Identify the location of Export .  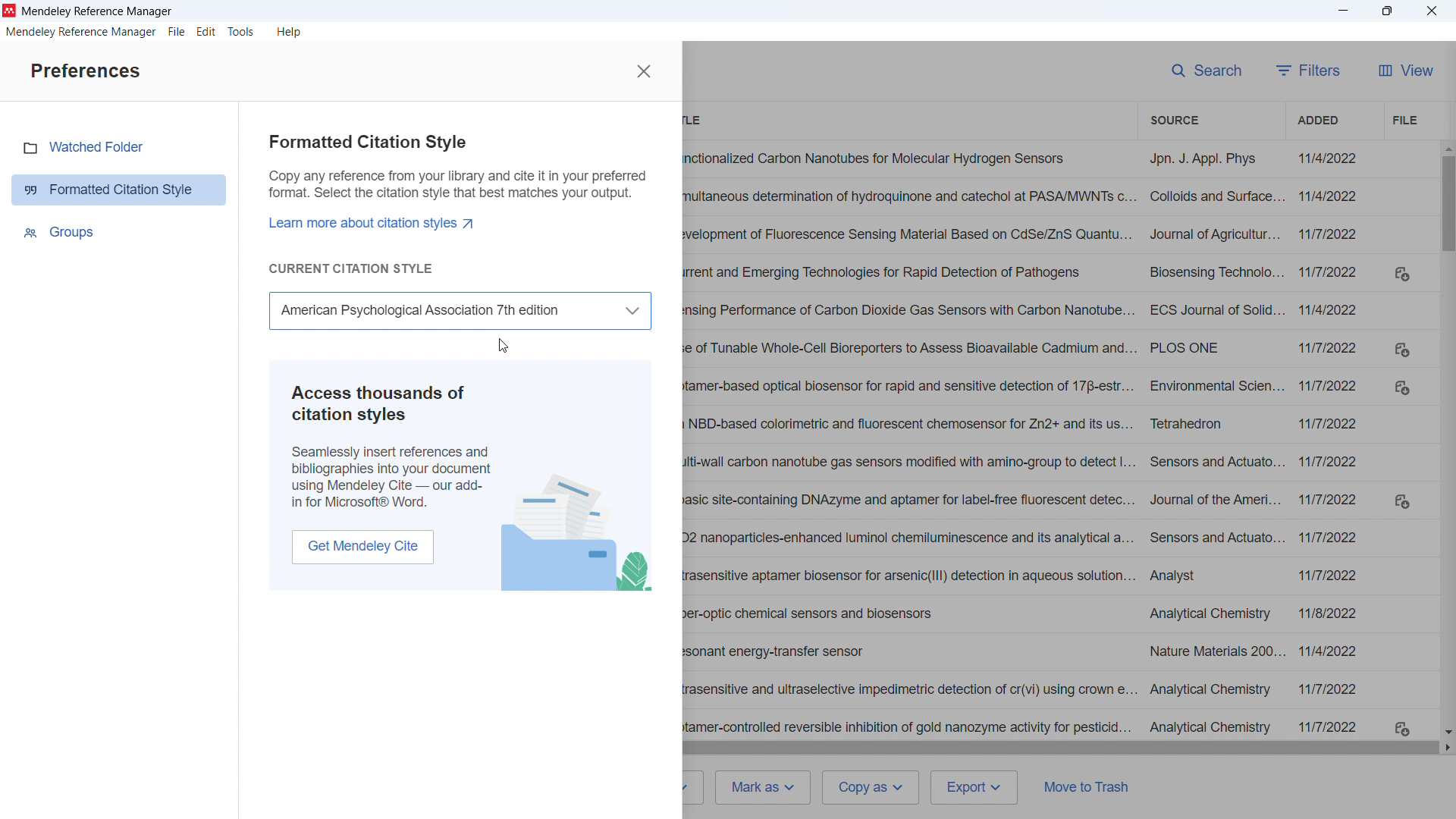
(975, 788).